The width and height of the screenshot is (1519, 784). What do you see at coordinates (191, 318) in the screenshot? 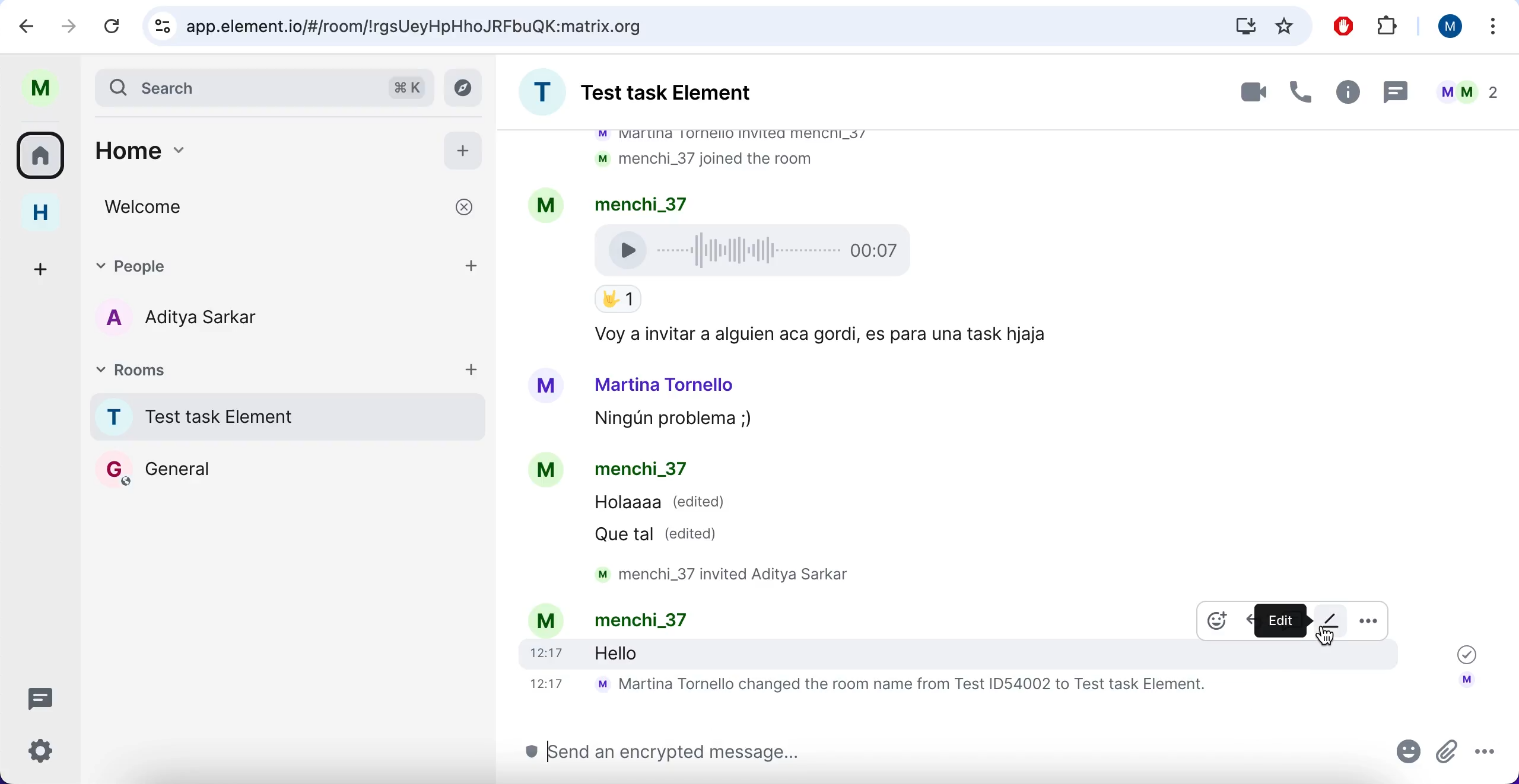
I see `chat member` at bounding box center [191, 318].